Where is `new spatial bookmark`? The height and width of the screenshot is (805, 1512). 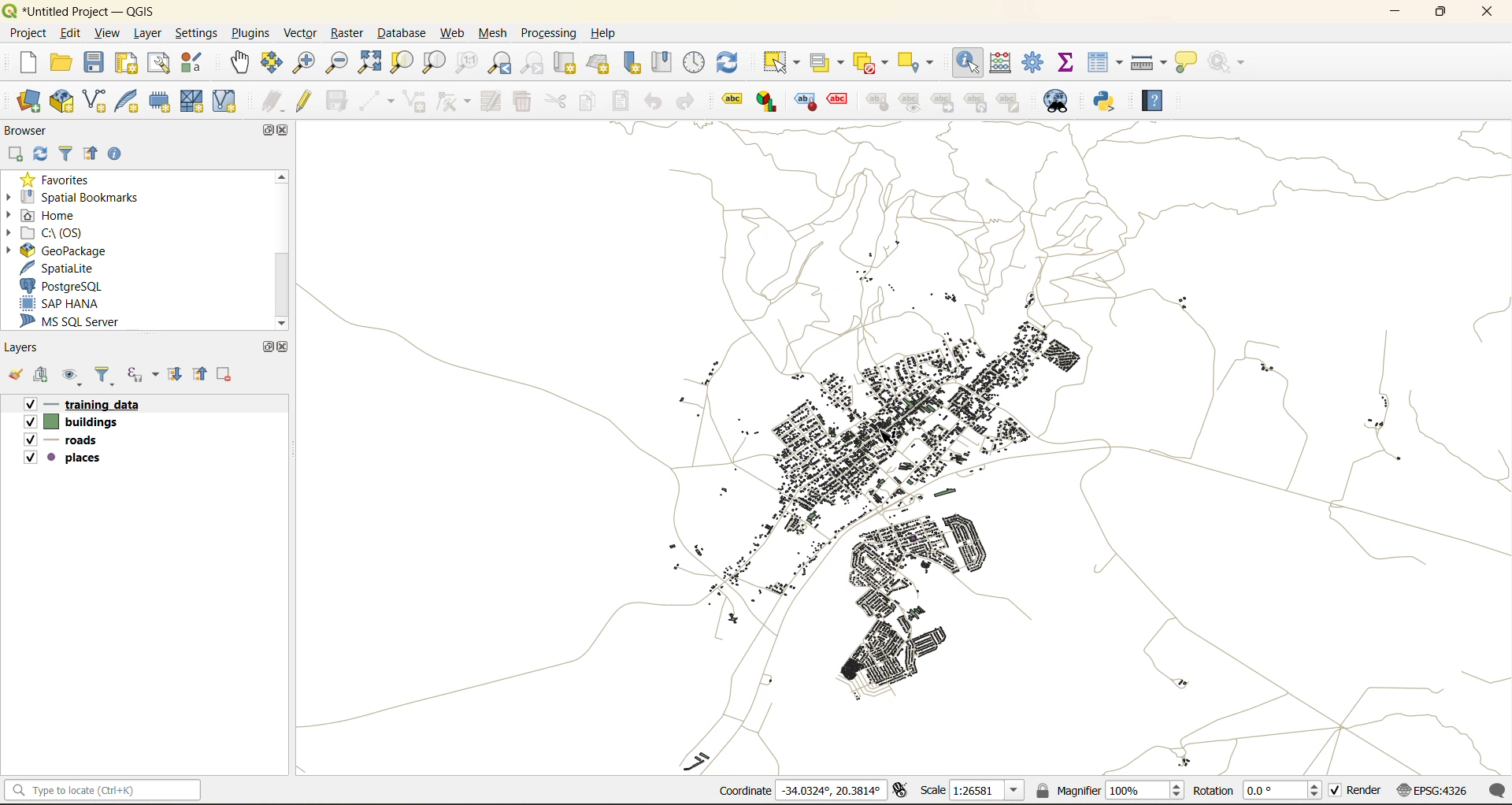
new spatial bookmark is located at coordinates (634, 65).